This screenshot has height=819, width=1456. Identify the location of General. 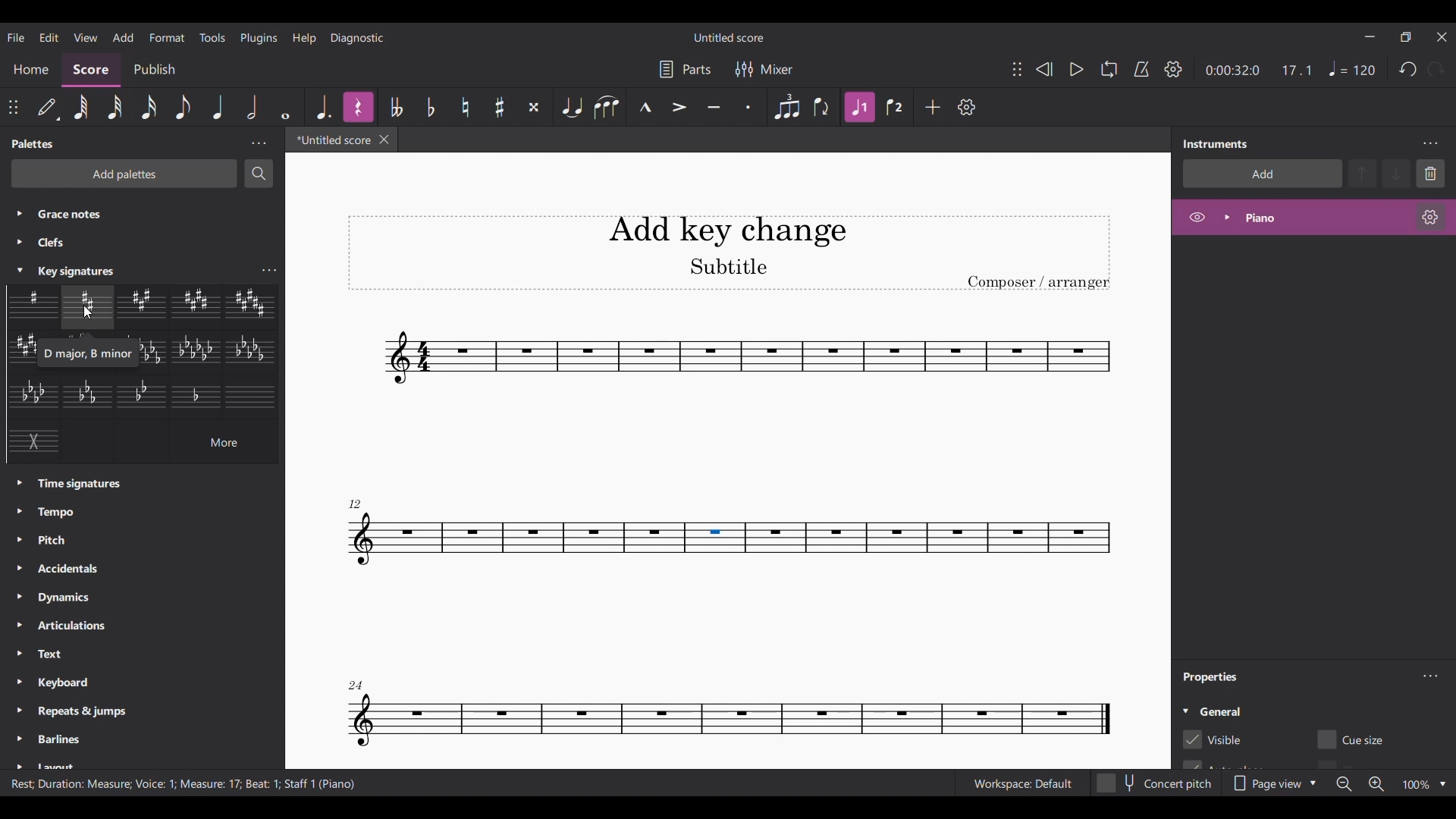
(1220, 711).